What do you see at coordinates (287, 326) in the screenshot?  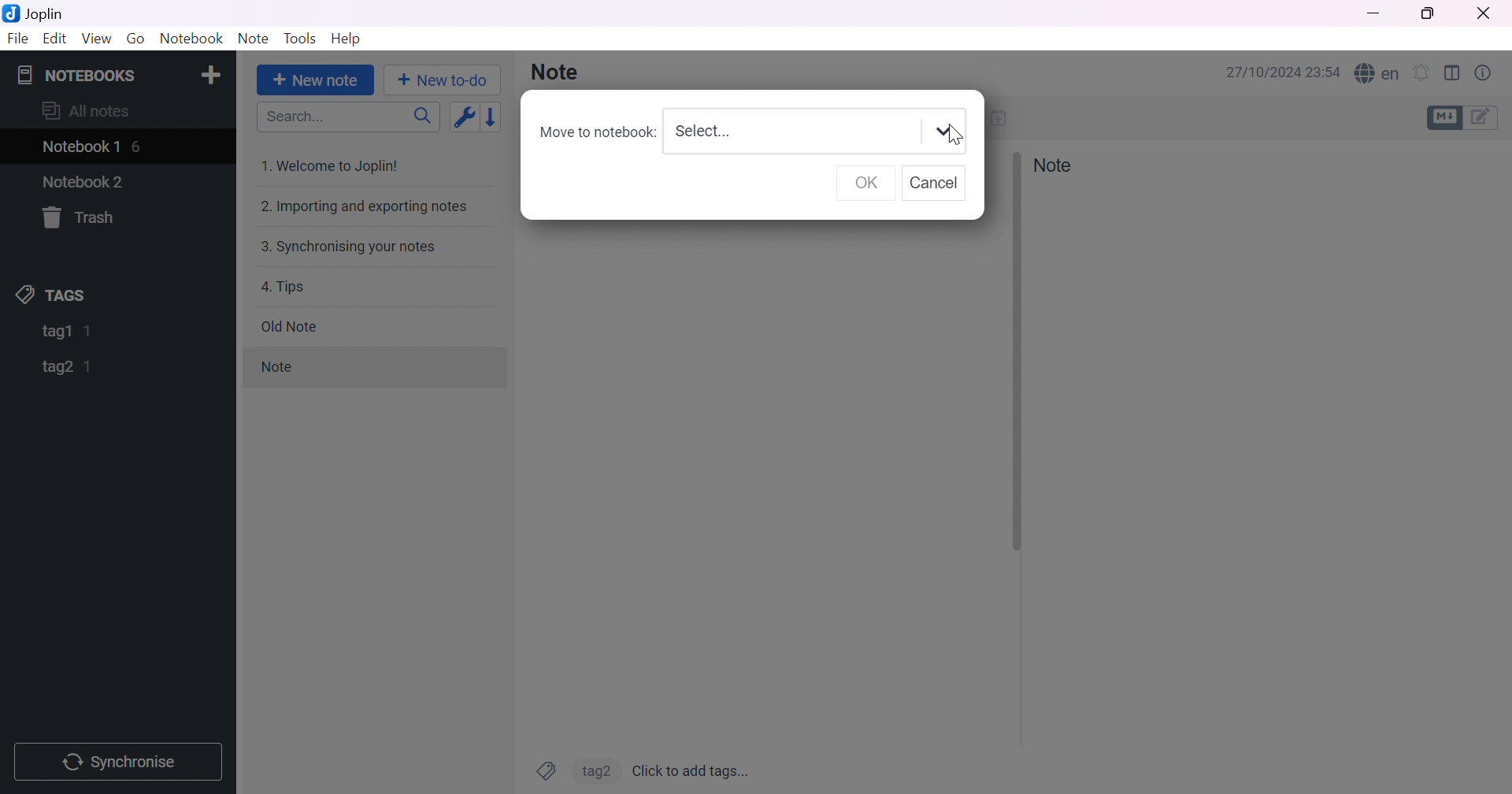 I see `Old note` at bounding box center [287, 326].